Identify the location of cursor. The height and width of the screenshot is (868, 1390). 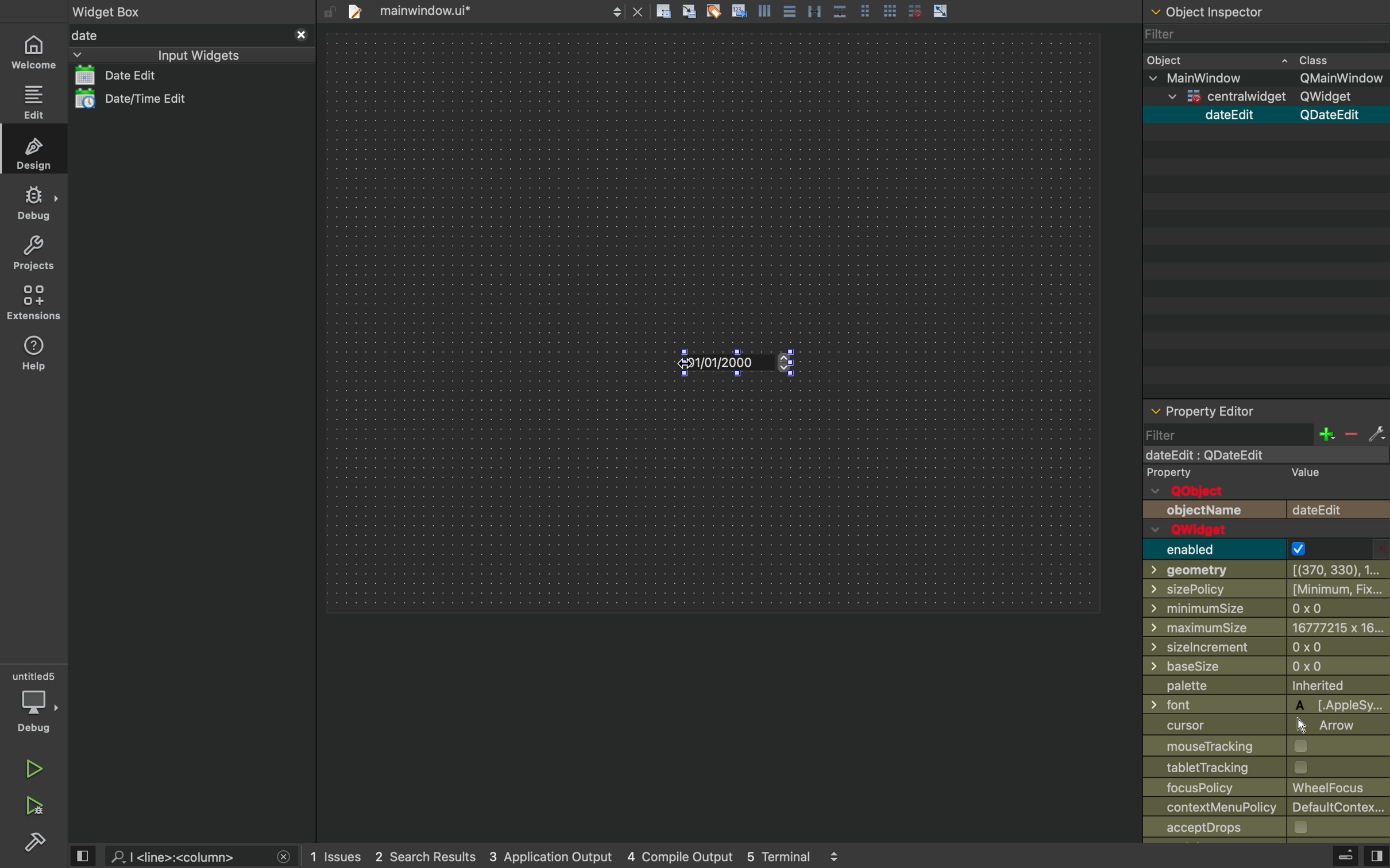
(1258, 727).